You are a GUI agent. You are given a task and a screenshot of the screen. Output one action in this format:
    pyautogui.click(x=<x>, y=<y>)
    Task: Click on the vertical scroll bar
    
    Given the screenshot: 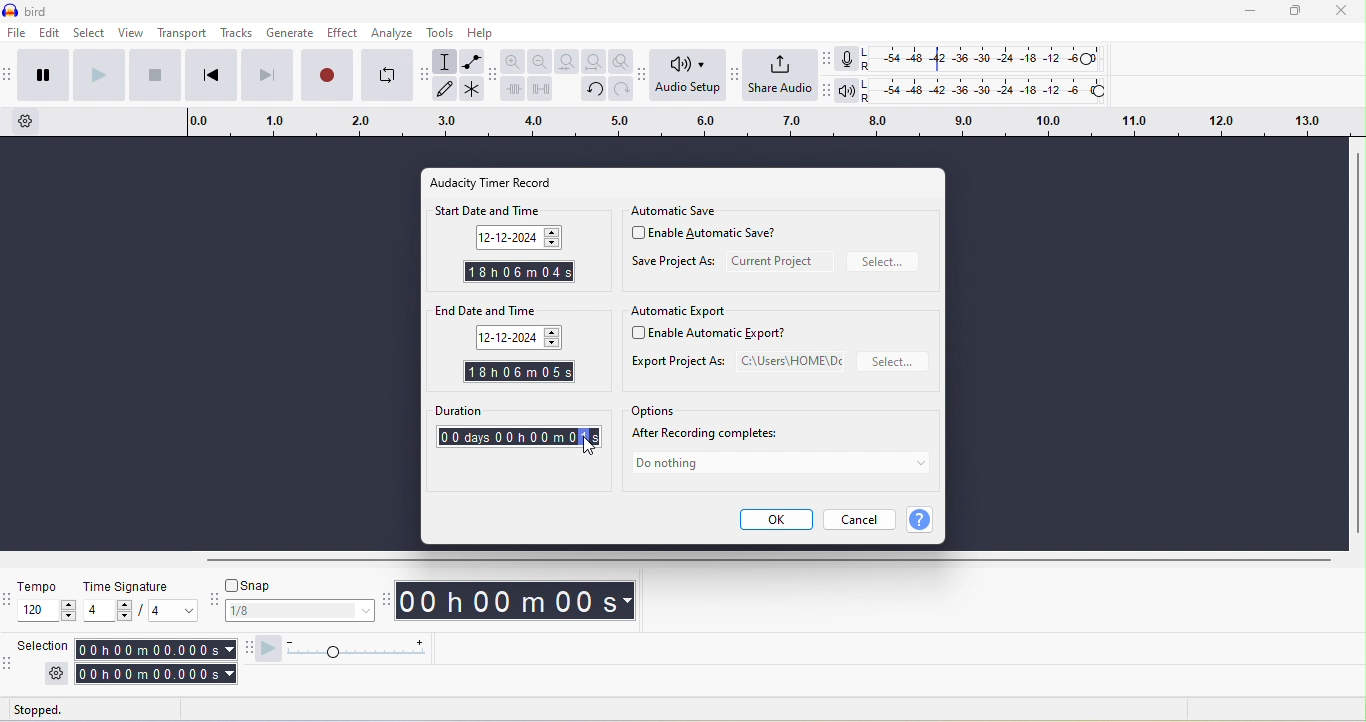 What is the action you would take?
    pyautogui.click(x=1356, y=341)
    